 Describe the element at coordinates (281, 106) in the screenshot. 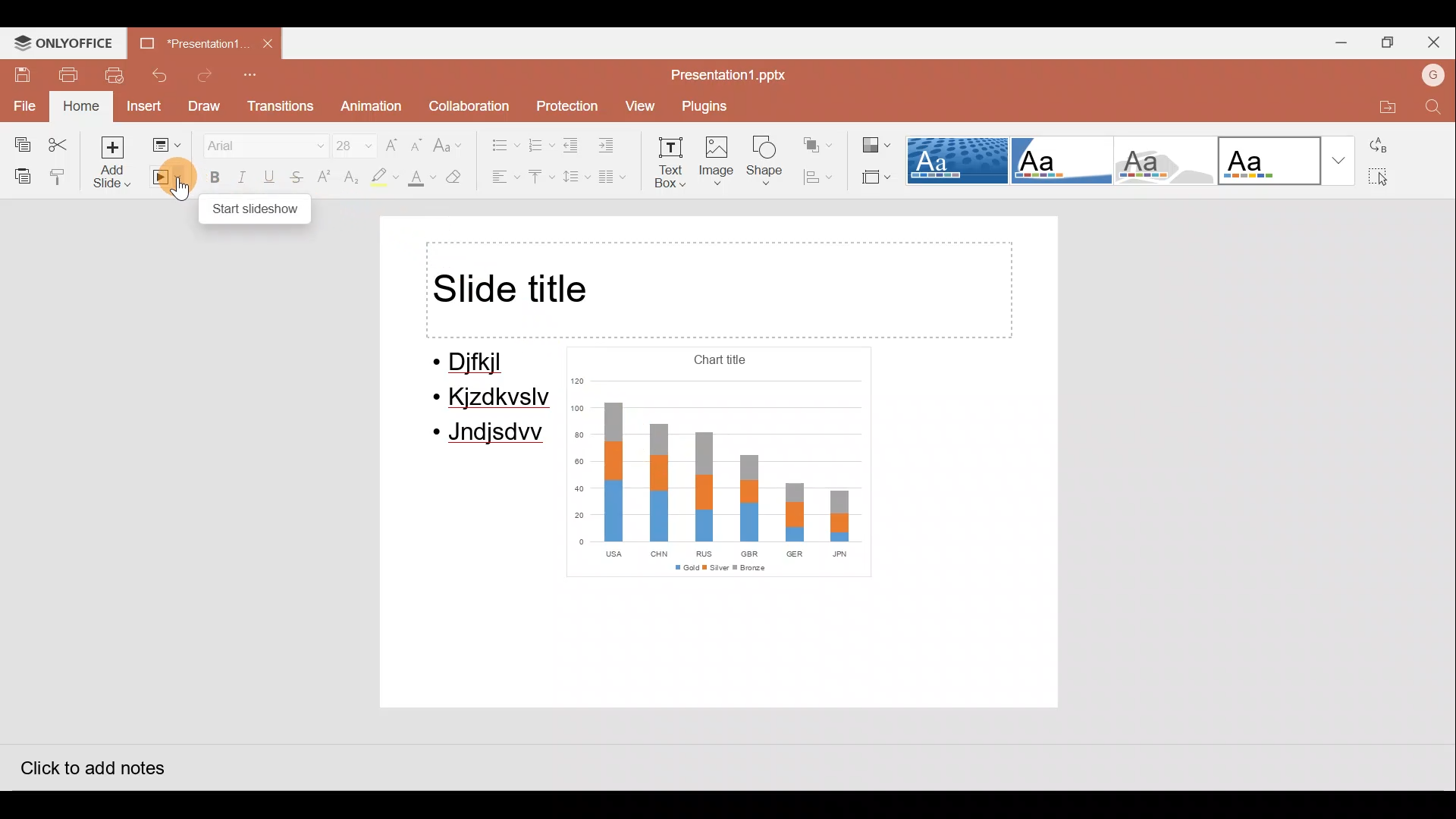

I see `Transitions` at that location.